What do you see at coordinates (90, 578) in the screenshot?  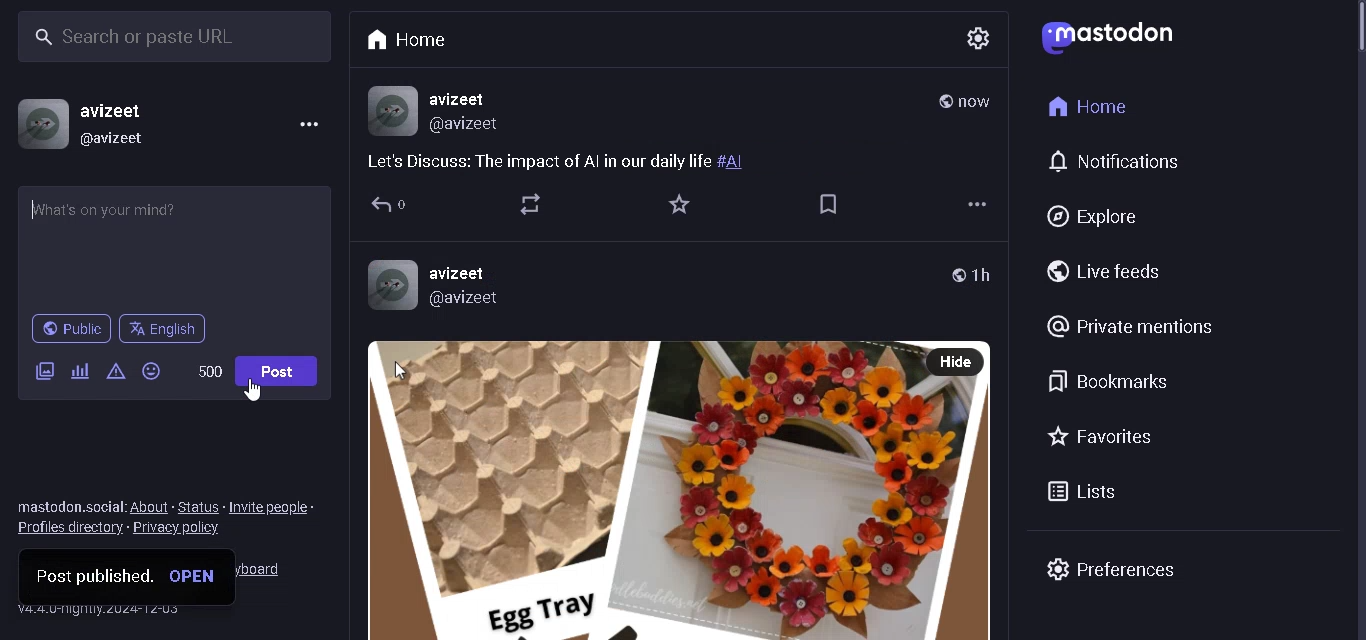 I see `POST PUBLISHED` at bounding box center [90, 578].